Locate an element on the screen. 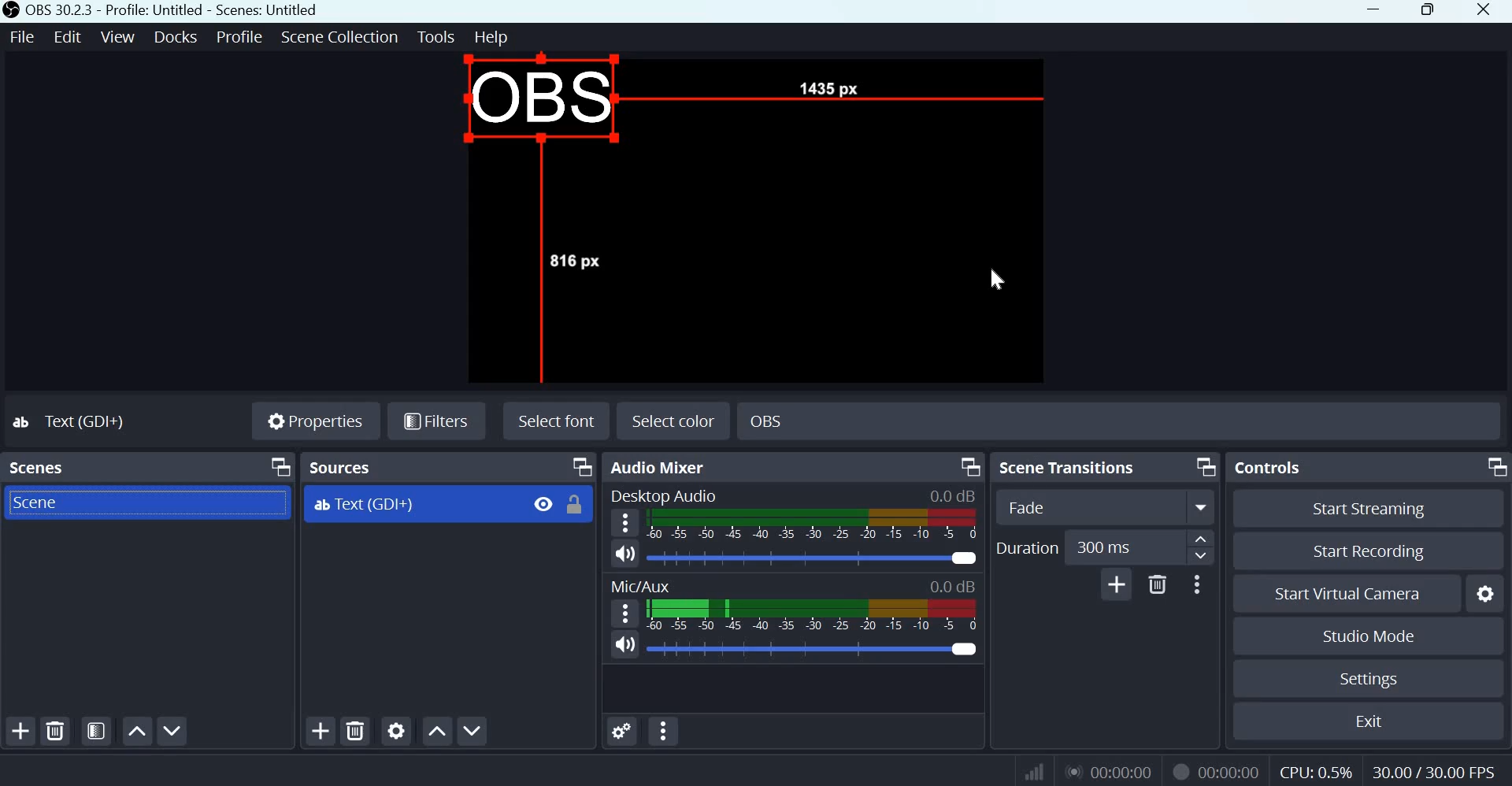 The height and width of the screenshot is (786, 1512). OBS is located at coordinates (771, 417).